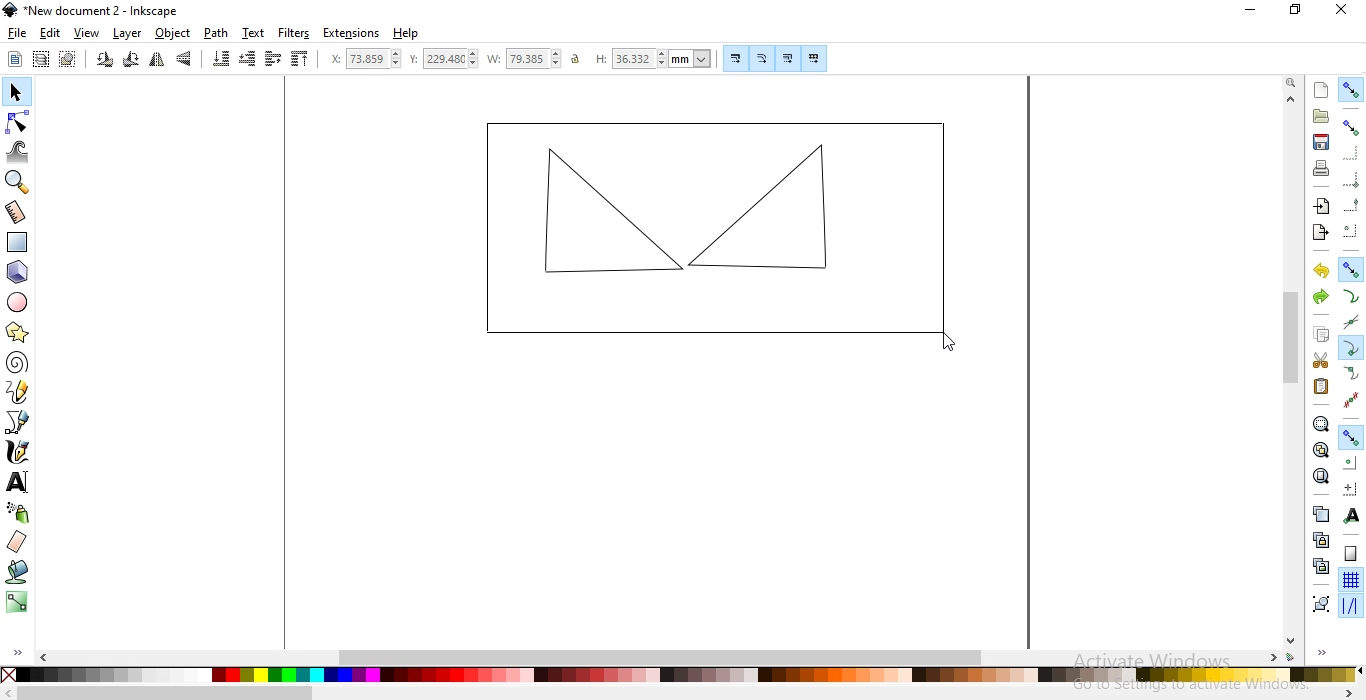 This screenshot has width=1366, height=700. What do you see at coordinates (1352, 346) in the screenshot?
I see `snap cusp nodes incl rectangle corners` at bounding box center [1352, 346].